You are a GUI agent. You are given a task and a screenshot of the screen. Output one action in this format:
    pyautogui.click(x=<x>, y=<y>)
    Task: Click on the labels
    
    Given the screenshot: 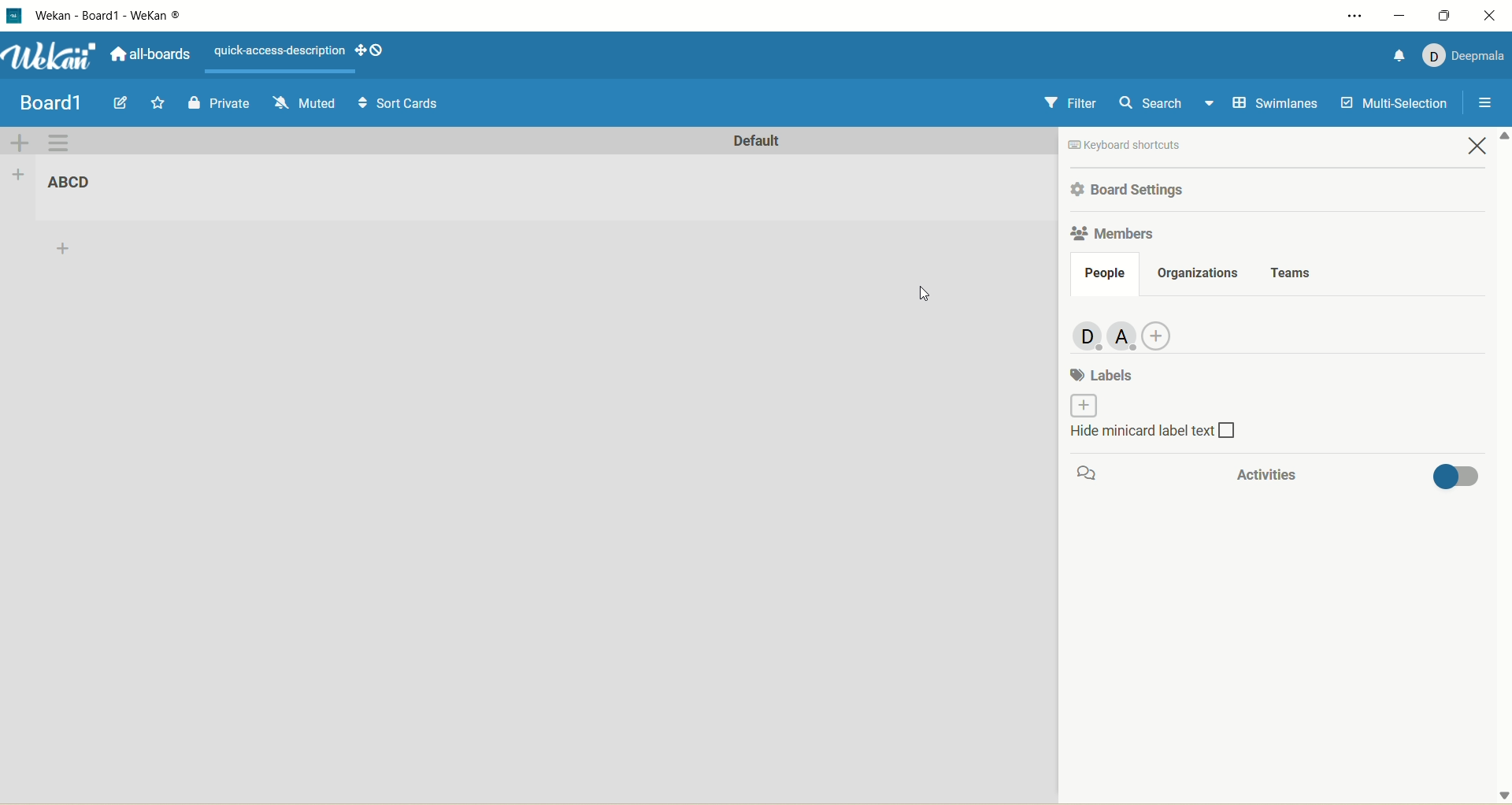 What is the action you would take?
    pyautogui.click(x=1105, y=373)
    